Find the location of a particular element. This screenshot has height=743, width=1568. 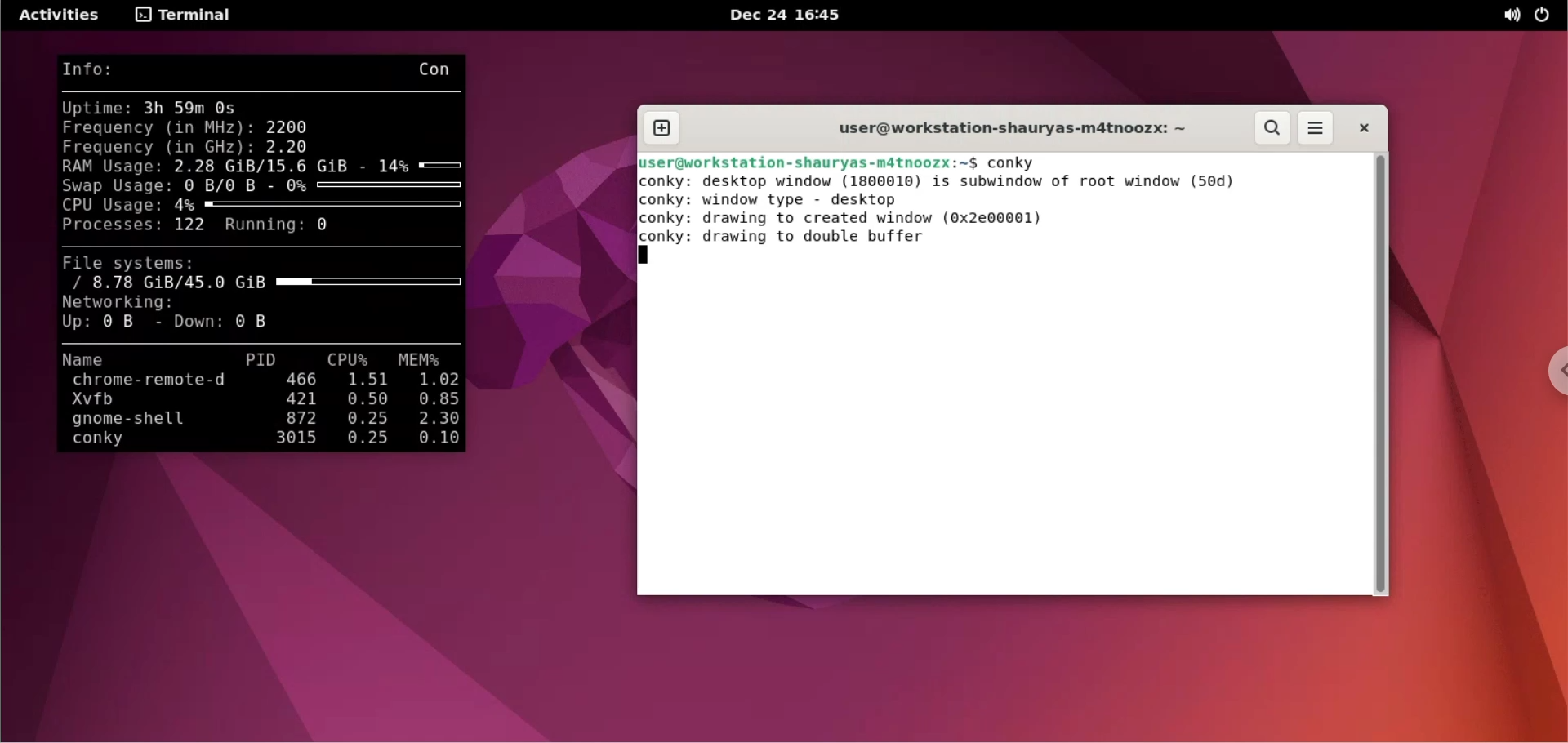

uptime: is located at coordinates (97, 108).